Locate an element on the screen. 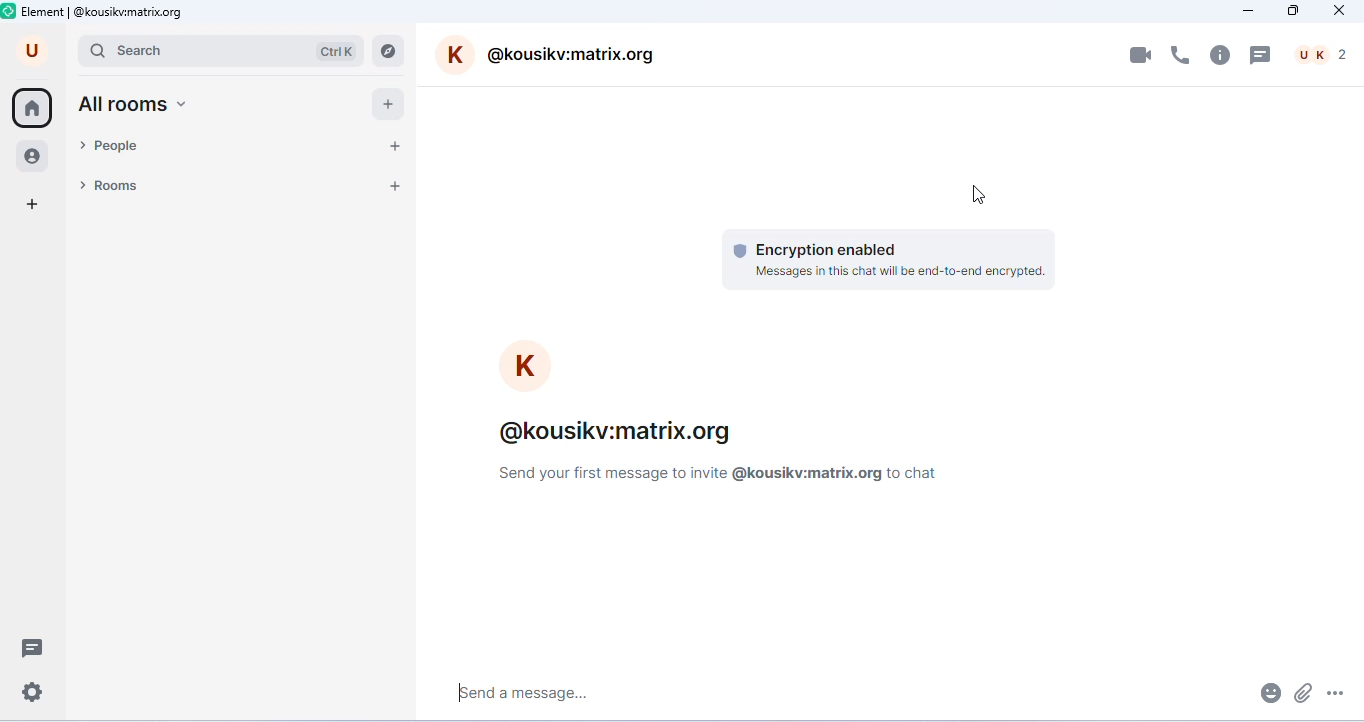 The image size is (1364, 722). add room is located at coordinates (395, 185).